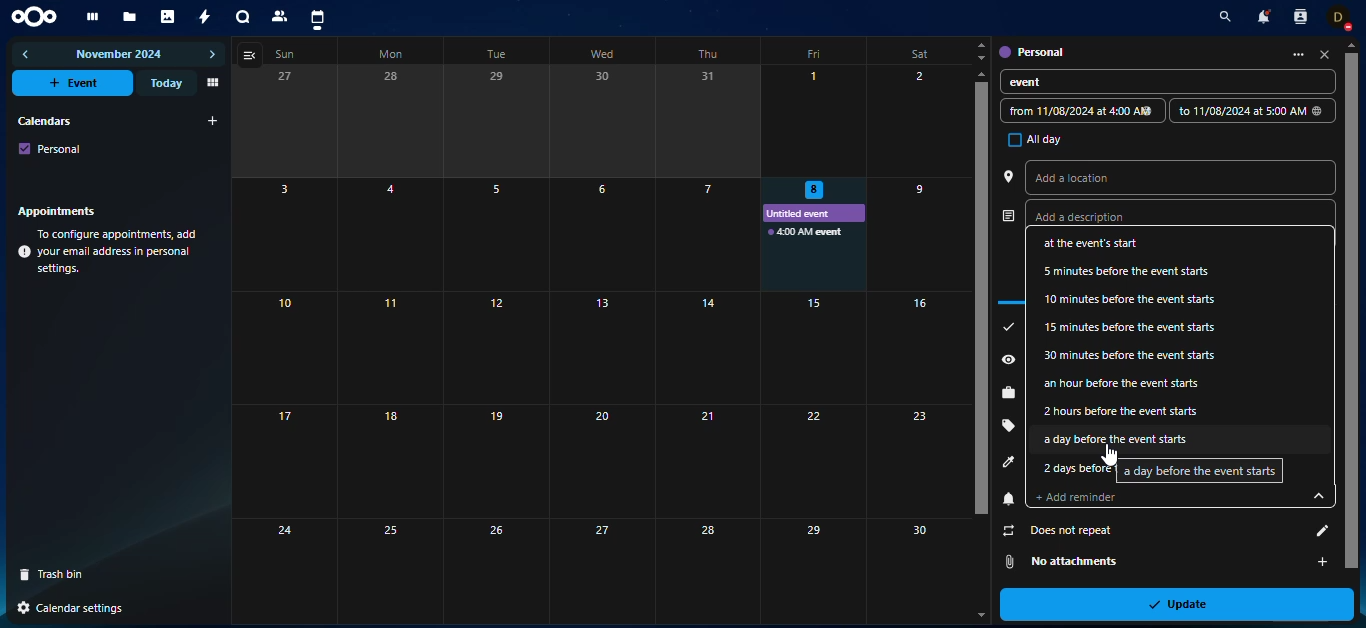  I want to click on no attachments, so click(1091, 562).